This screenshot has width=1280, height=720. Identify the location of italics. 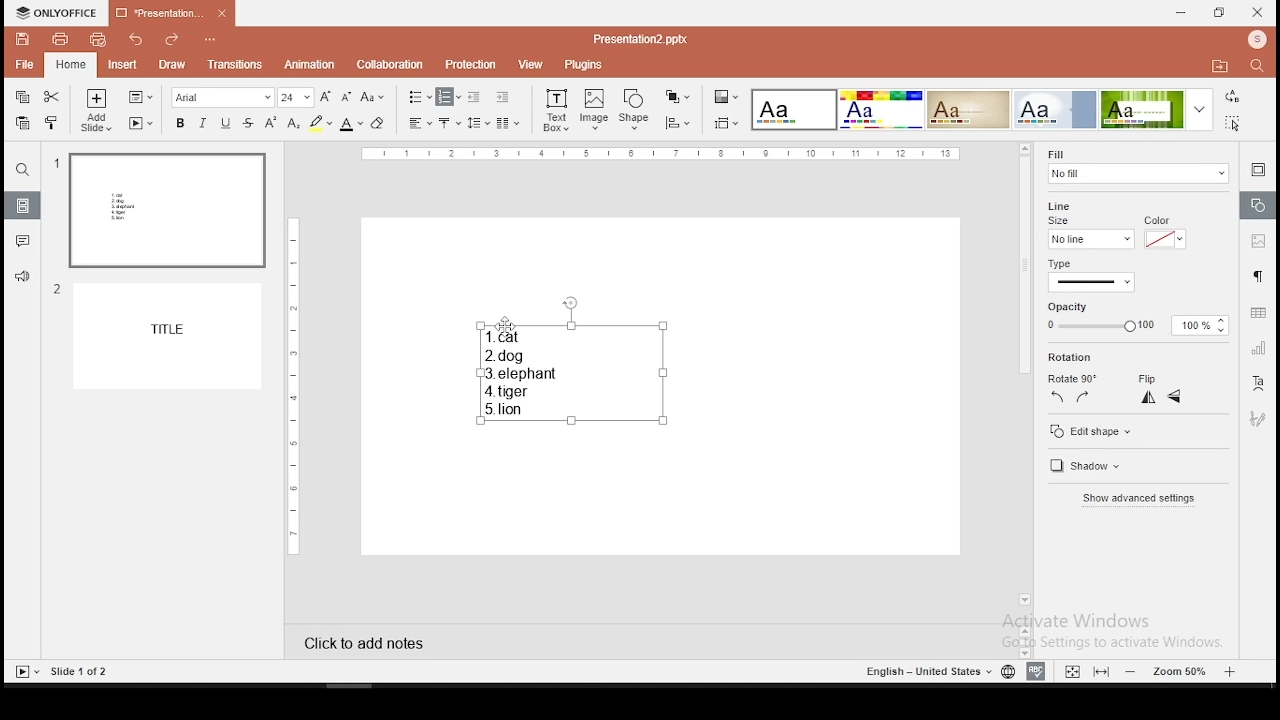
(203, 122).